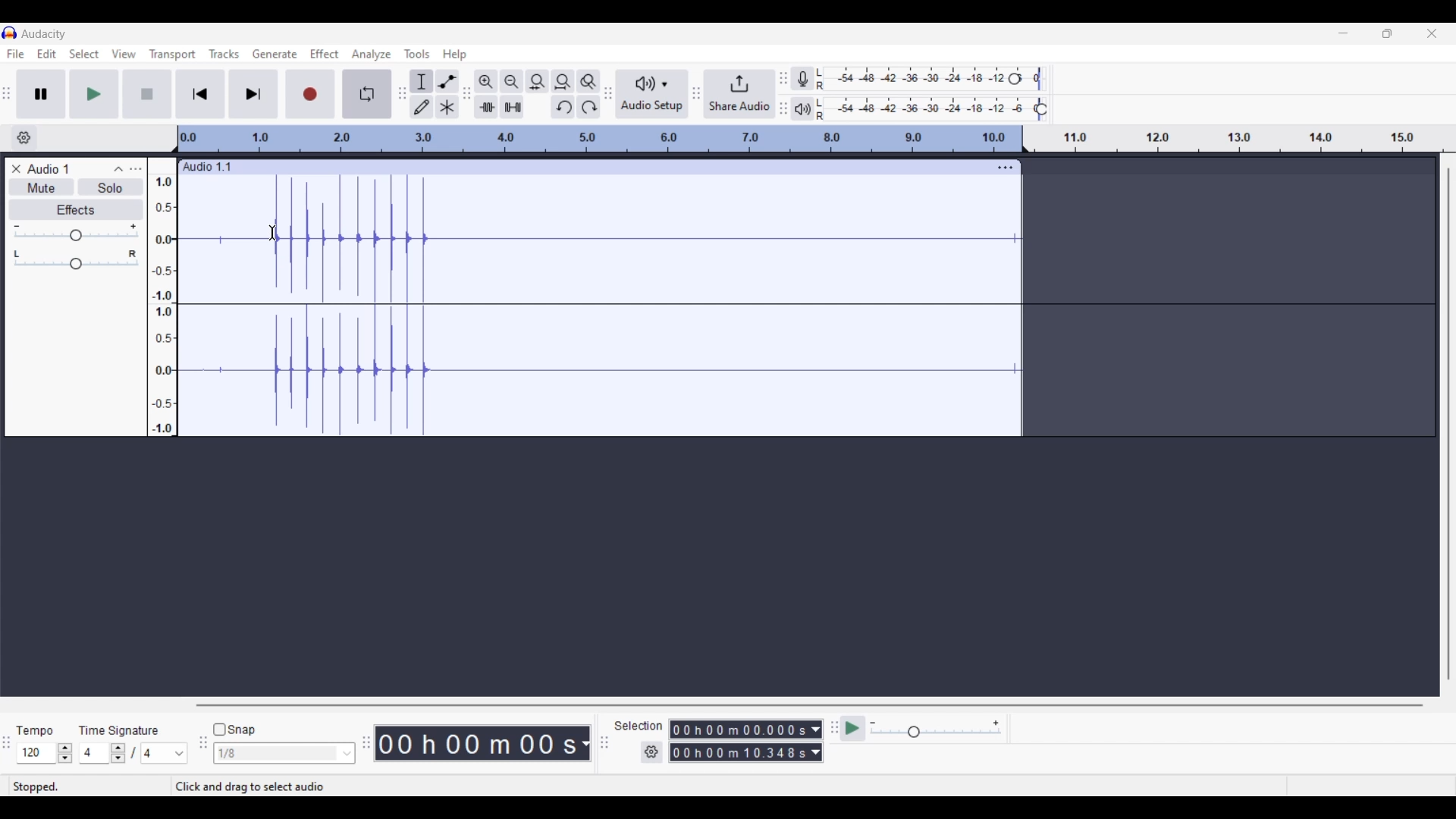 Image resolution: width=1456 pixels, height=819 pixels. I want to click on Analyze menu, so click(372, 55).